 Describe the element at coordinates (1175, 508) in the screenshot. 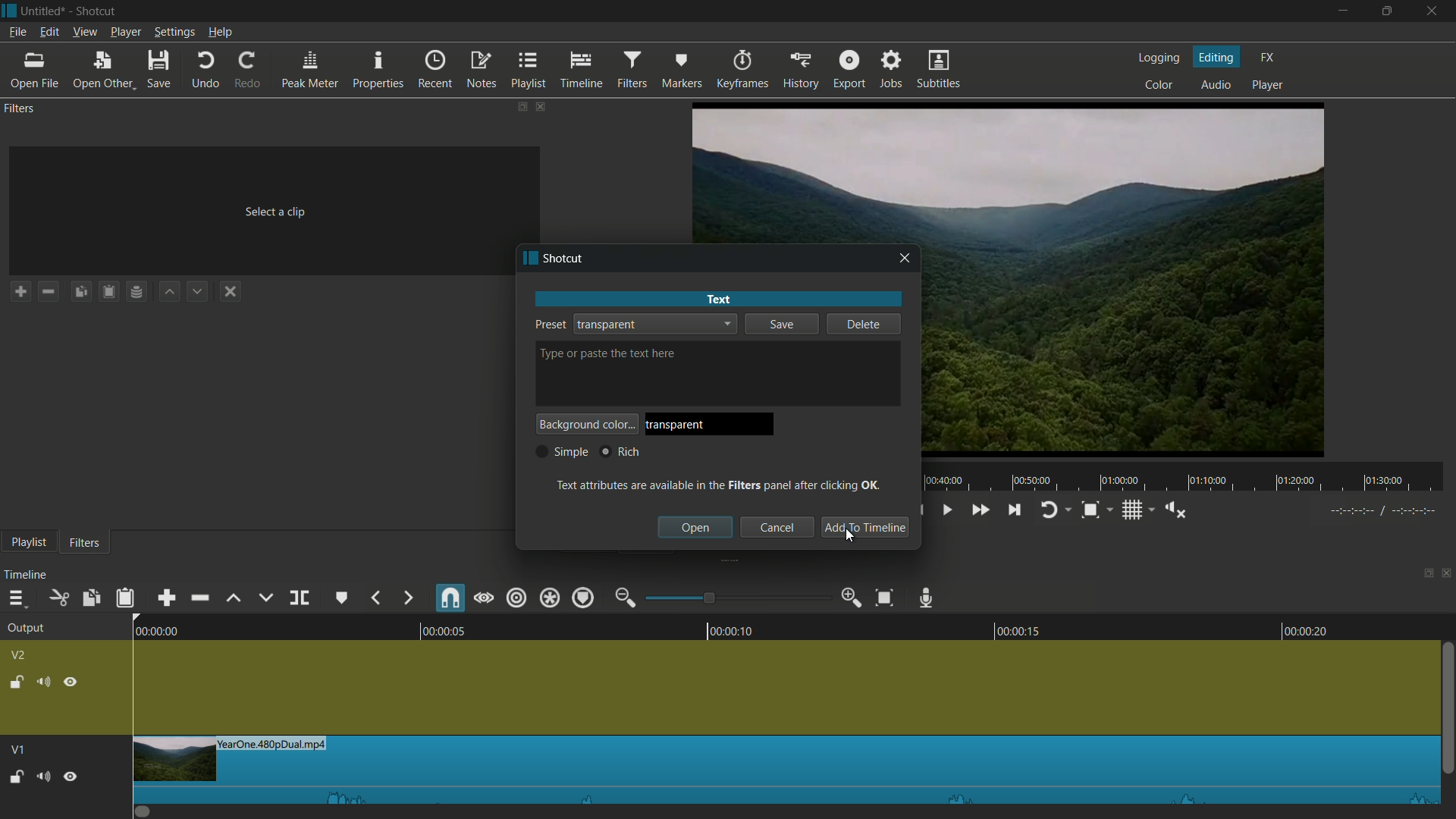

I see `show volume control` at that location.